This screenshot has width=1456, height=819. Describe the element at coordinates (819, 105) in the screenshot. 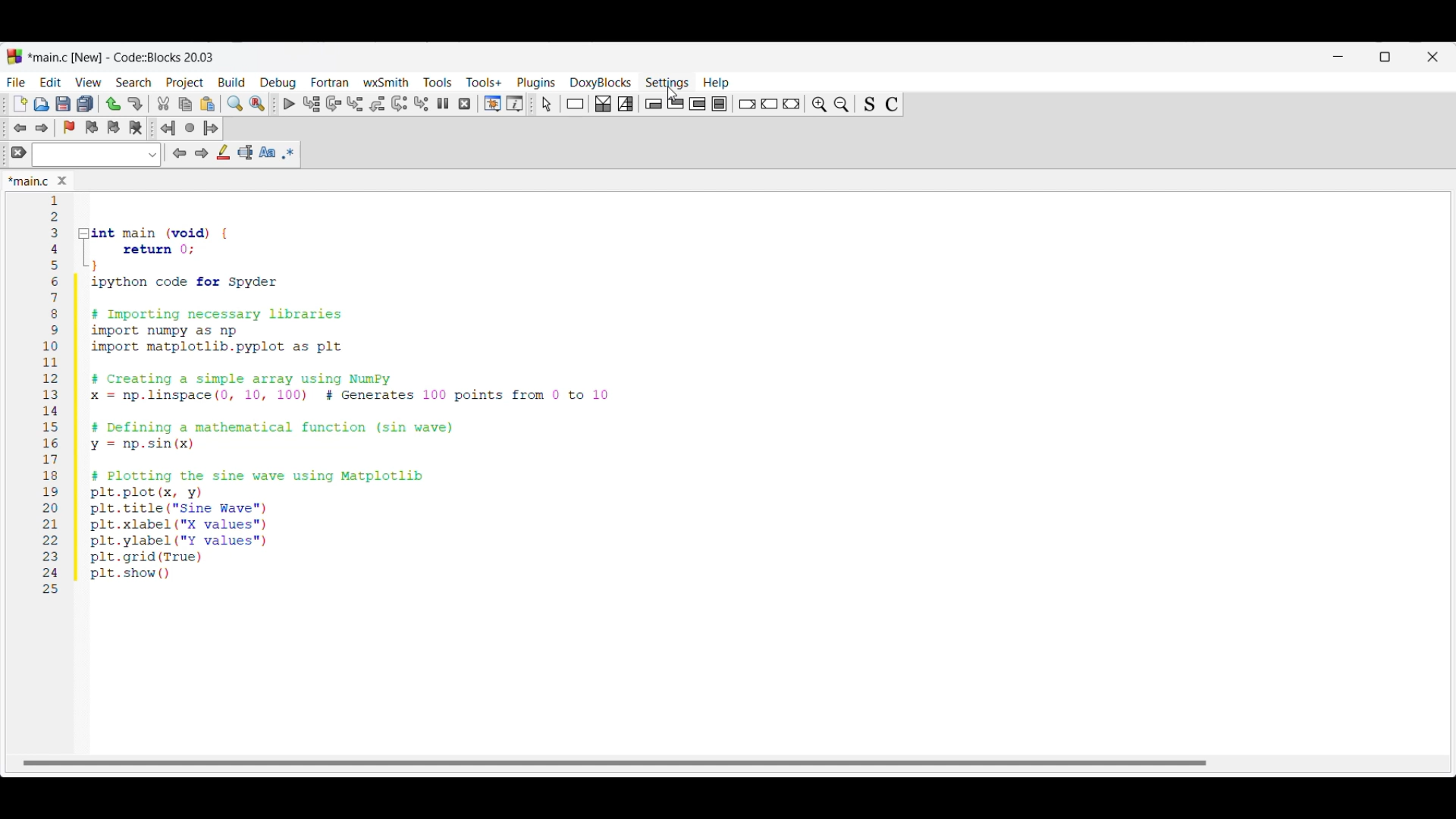

I see `Zoom in` at that location.